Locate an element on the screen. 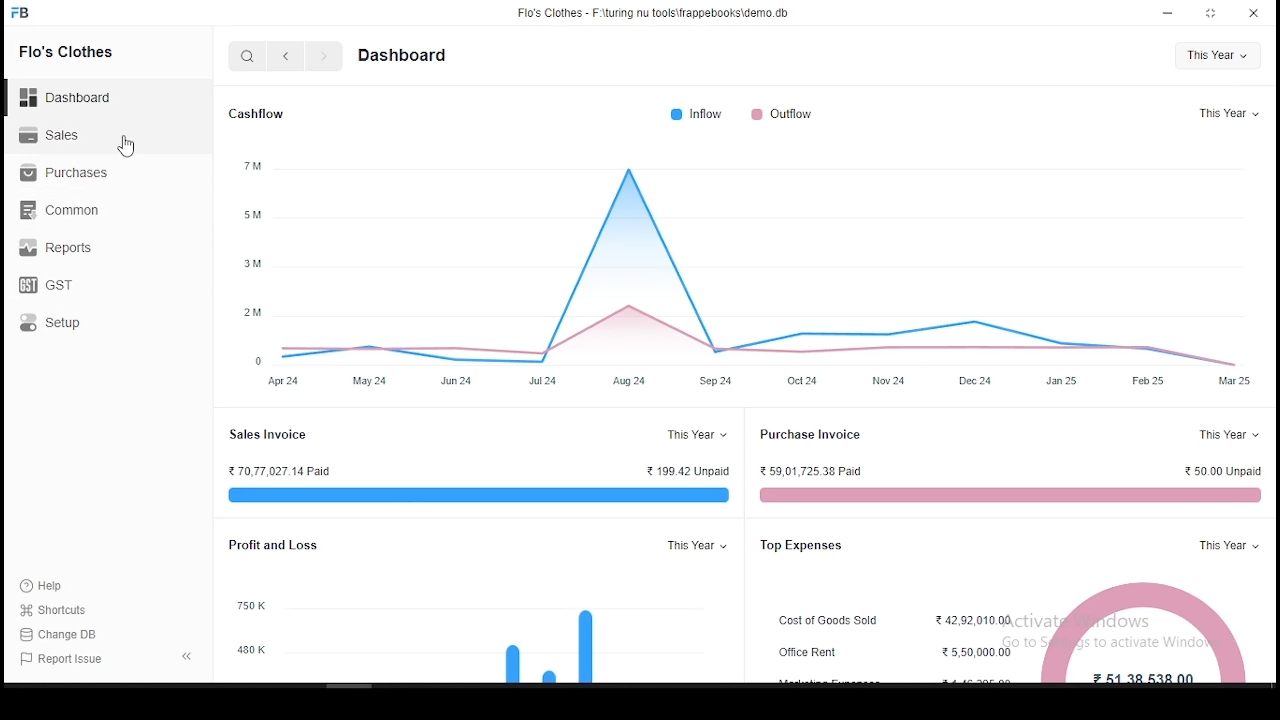 The height and width of the screenshot is (720, 1280). reports is located at coordinates (60, 248).